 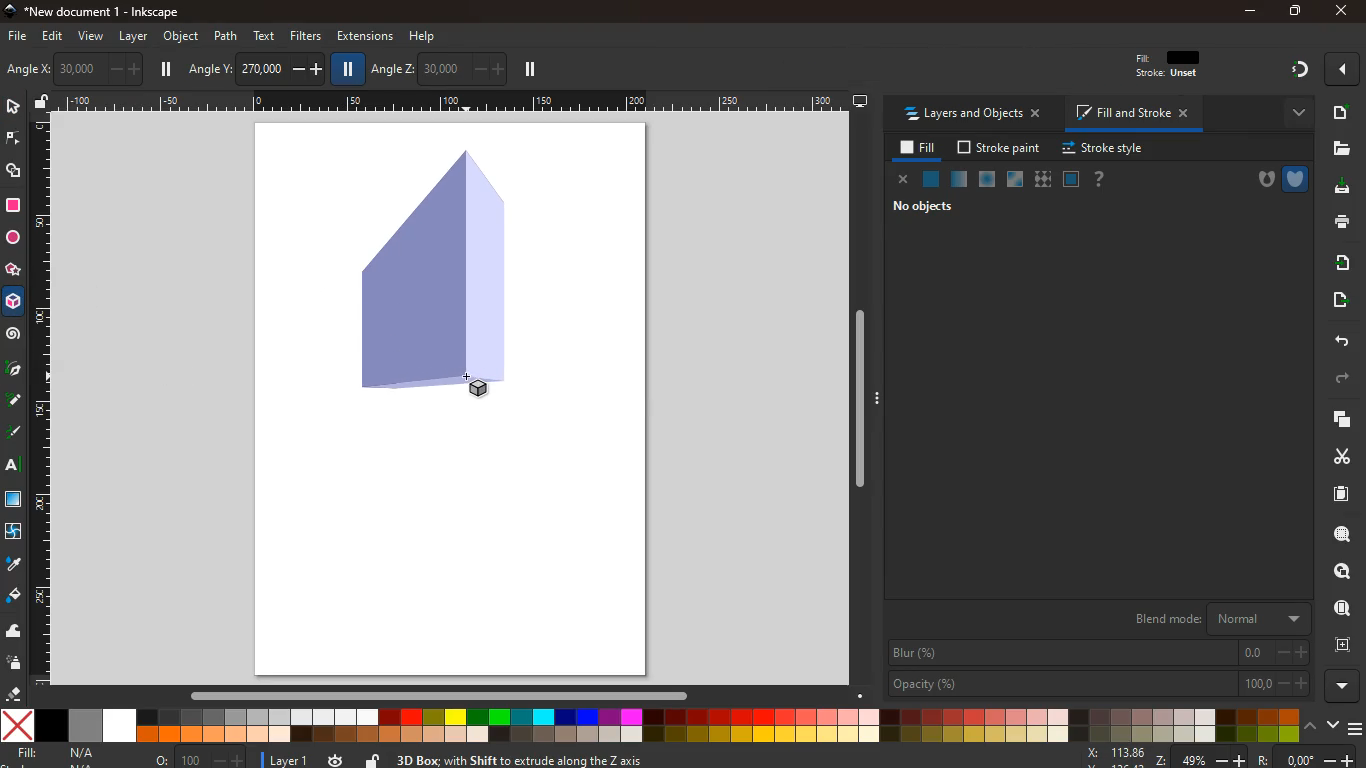 What do you see at coordinates (1342, 148) in the screenshot?
I see `file` at bounding box center [1342, 148].